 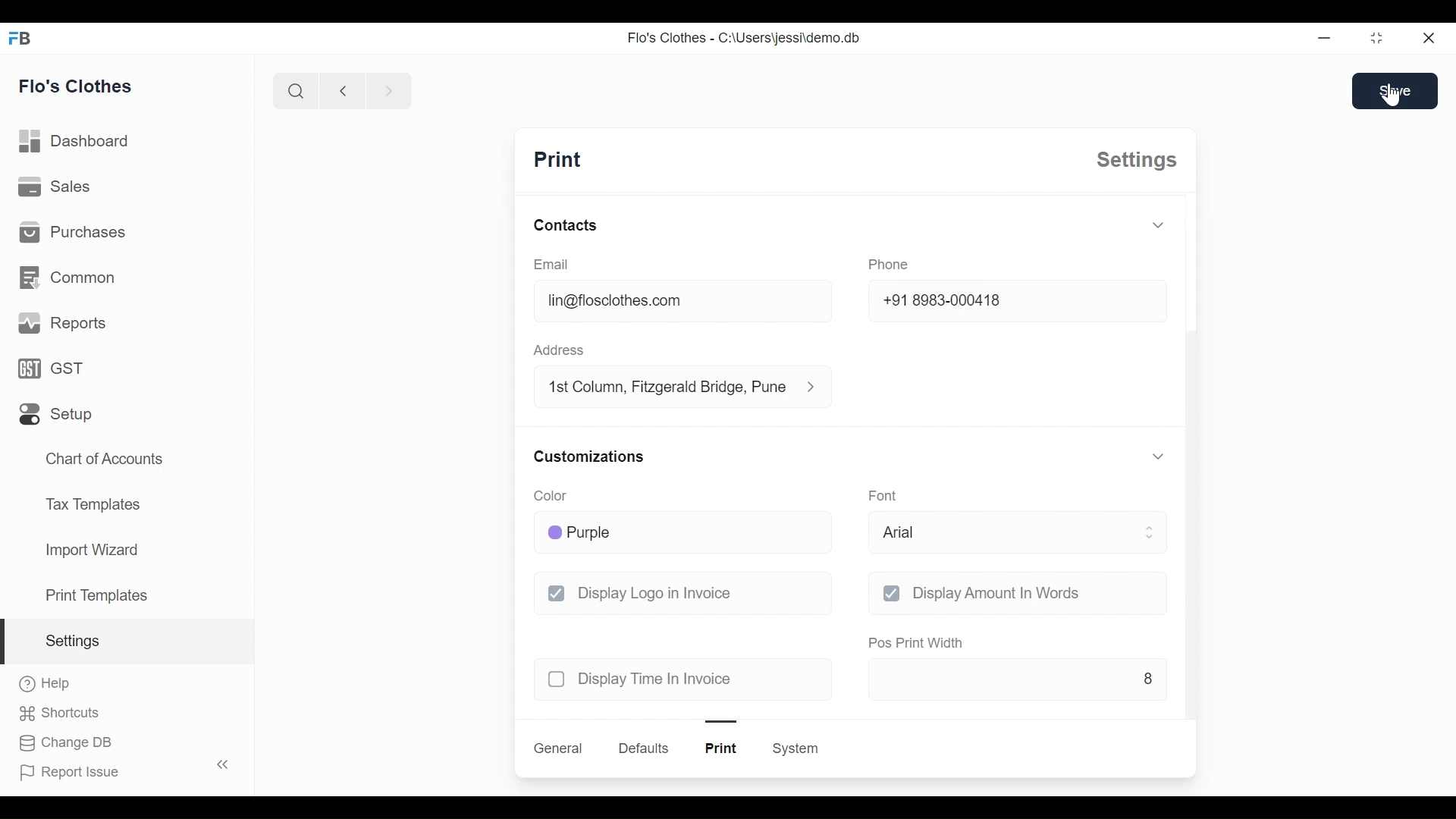 What do you see at coordinates (67, 278) in the screenshot?
I see `common` at bounding box center [67, 278].